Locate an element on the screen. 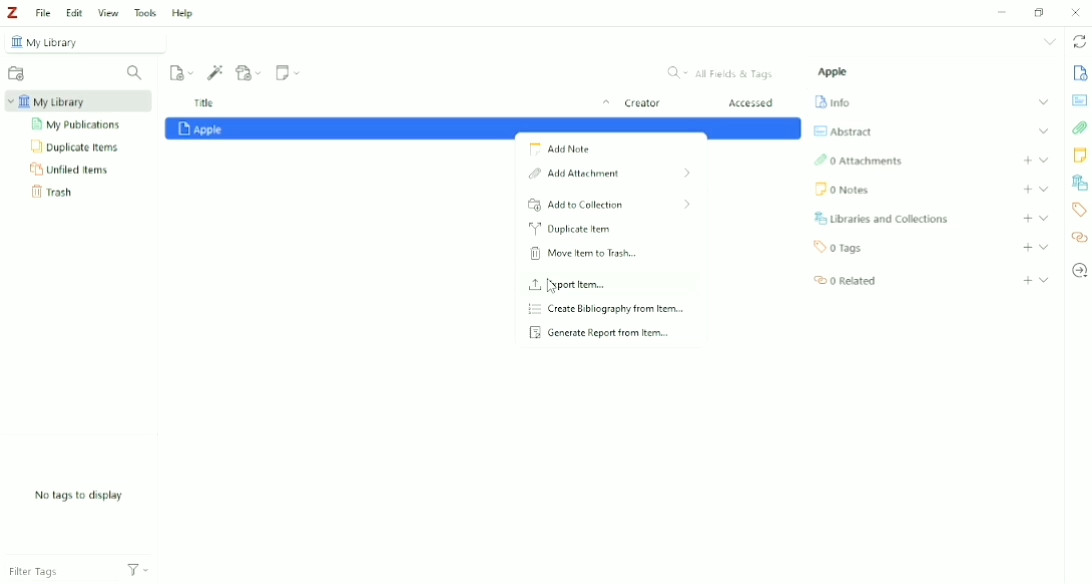  Expand section is located at coordinates (1043, 159).